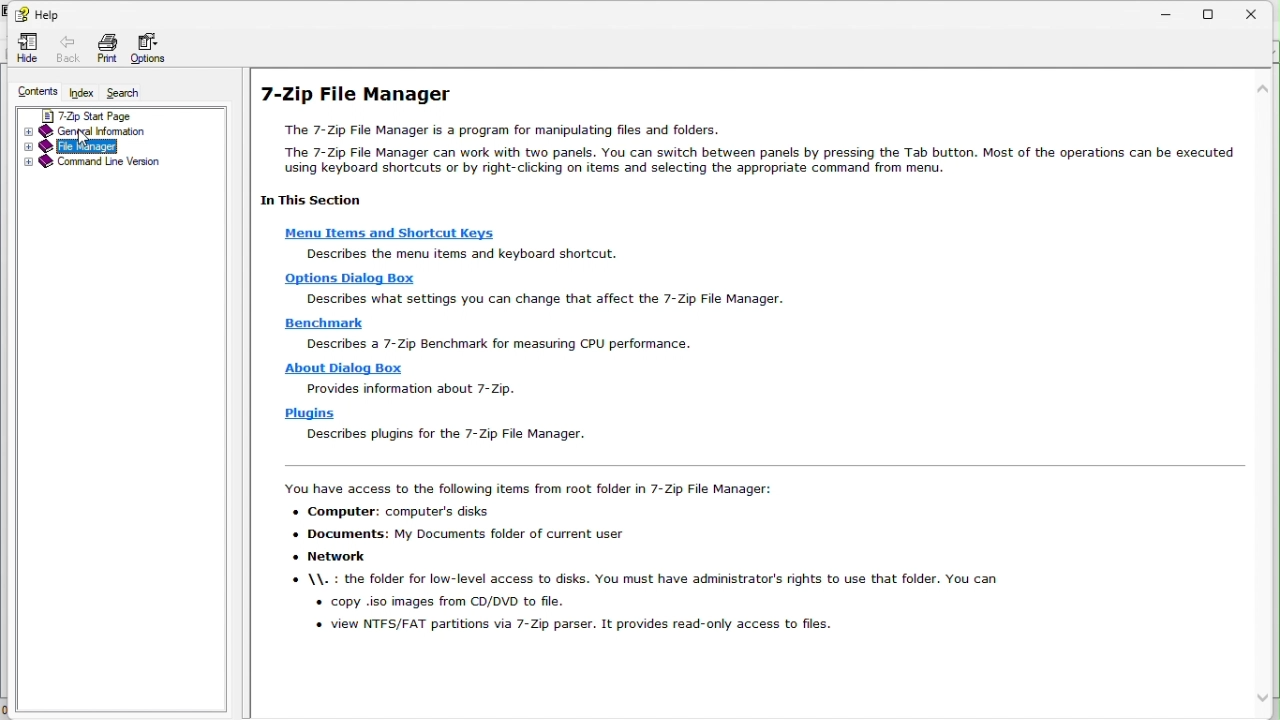 The height and width of the screenshot is (720, 1280). What do you see at coordinates (408, 389) in the screenshot?
I see `describe about dialog box` at bounding box center [408, 389].